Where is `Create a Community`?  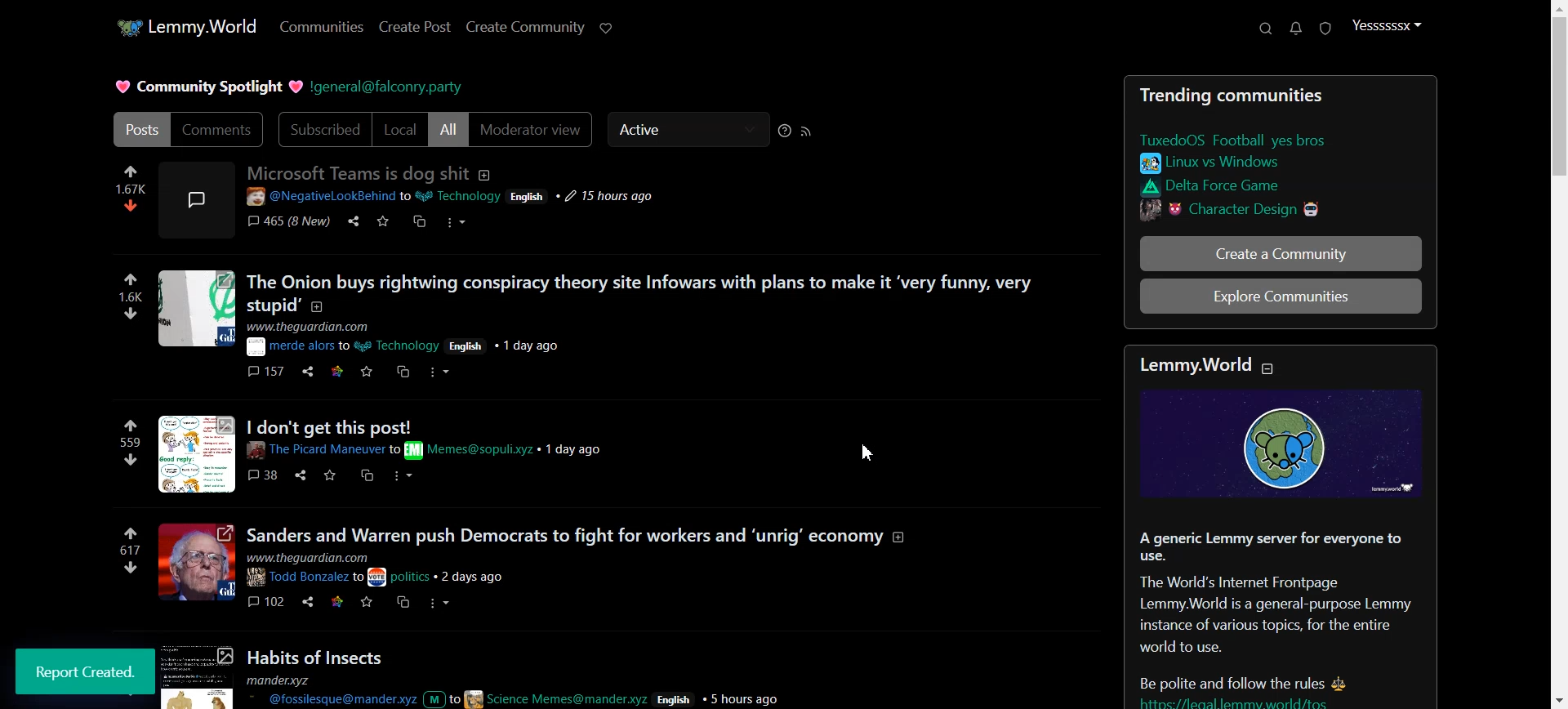 Create a Community is located at coordinates (1281, 255).